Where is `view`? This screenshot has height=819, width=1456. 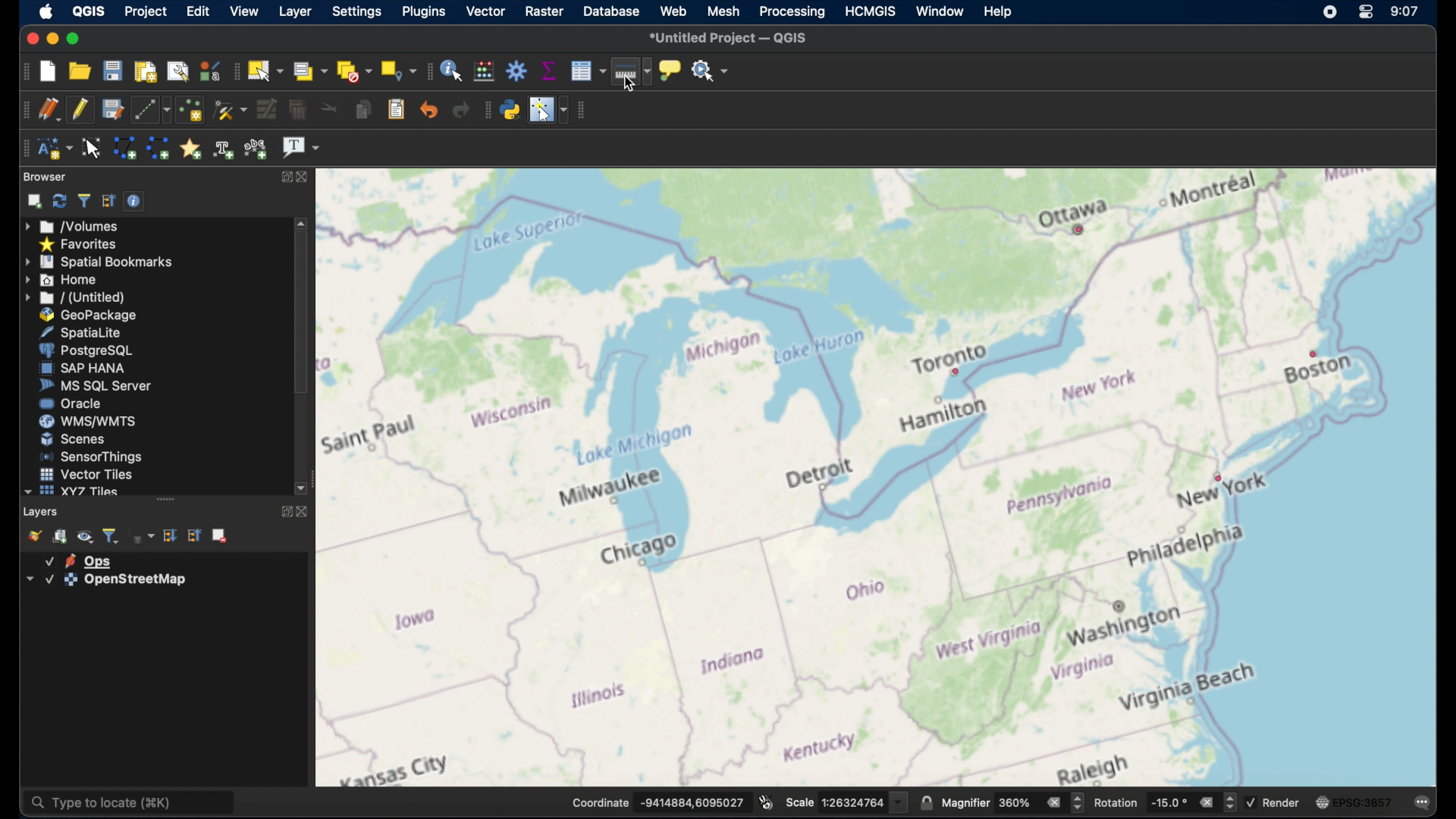 view is located at coordinates (243, 11).